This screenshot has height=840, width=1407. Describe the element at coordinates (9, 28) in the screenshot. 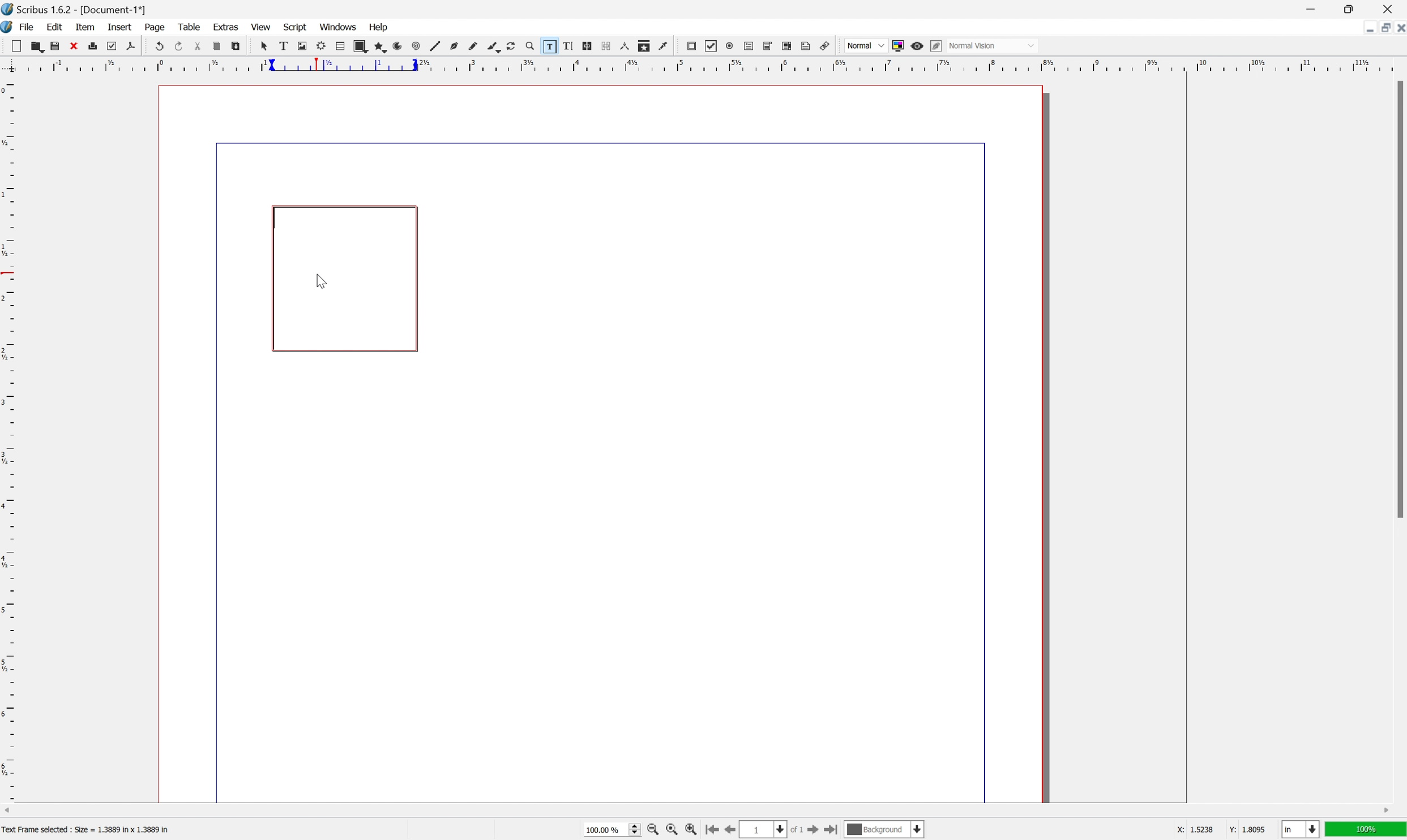

I see `application logo` at that location.